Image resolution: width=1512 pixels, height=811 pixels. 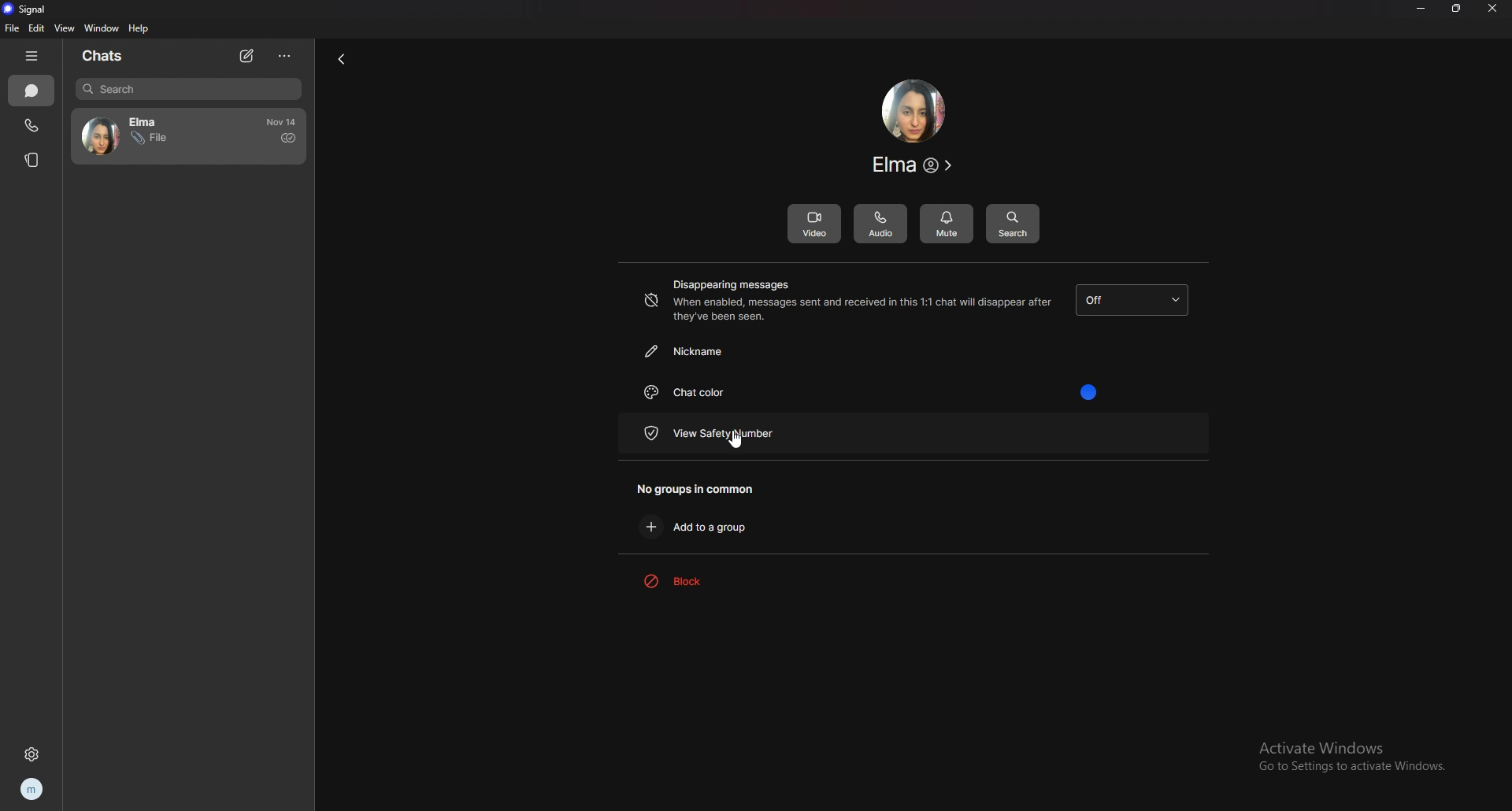 What do you see at coordinates (250, 56) in the screenshot?
I see `new chat` at bounding box center [250, 56].